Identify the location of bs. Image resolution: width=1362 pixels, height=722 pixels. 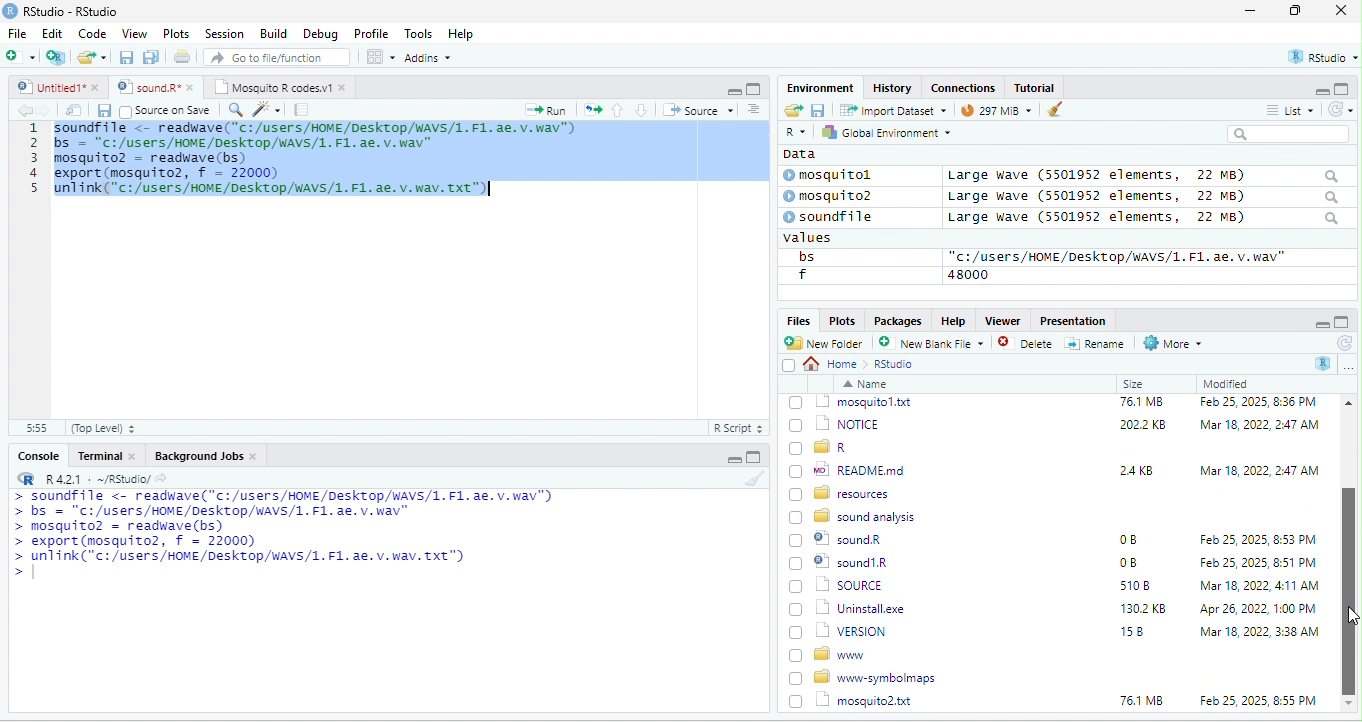
(803, 256).